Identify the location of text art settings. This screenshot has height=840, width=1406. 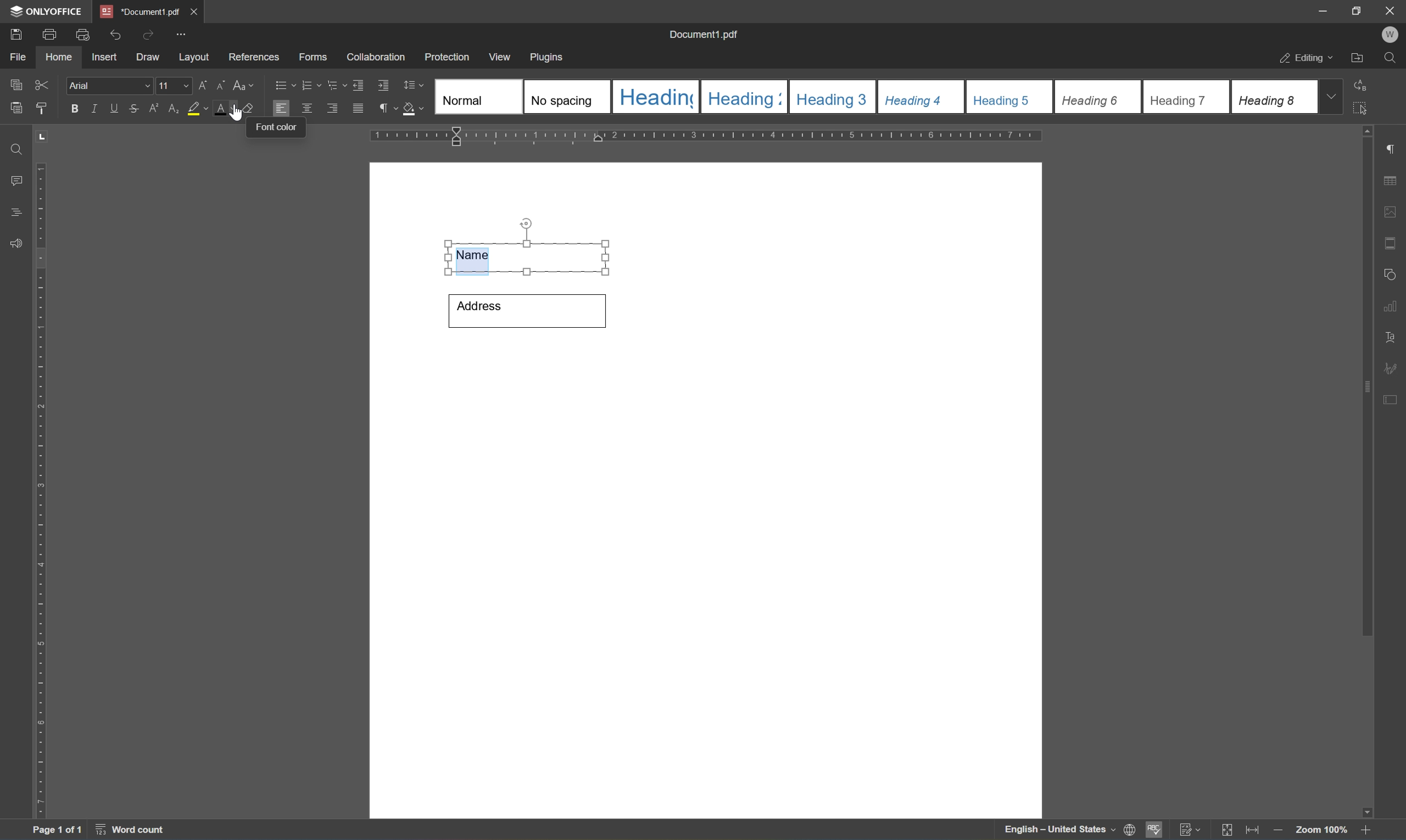
(1392, 335).